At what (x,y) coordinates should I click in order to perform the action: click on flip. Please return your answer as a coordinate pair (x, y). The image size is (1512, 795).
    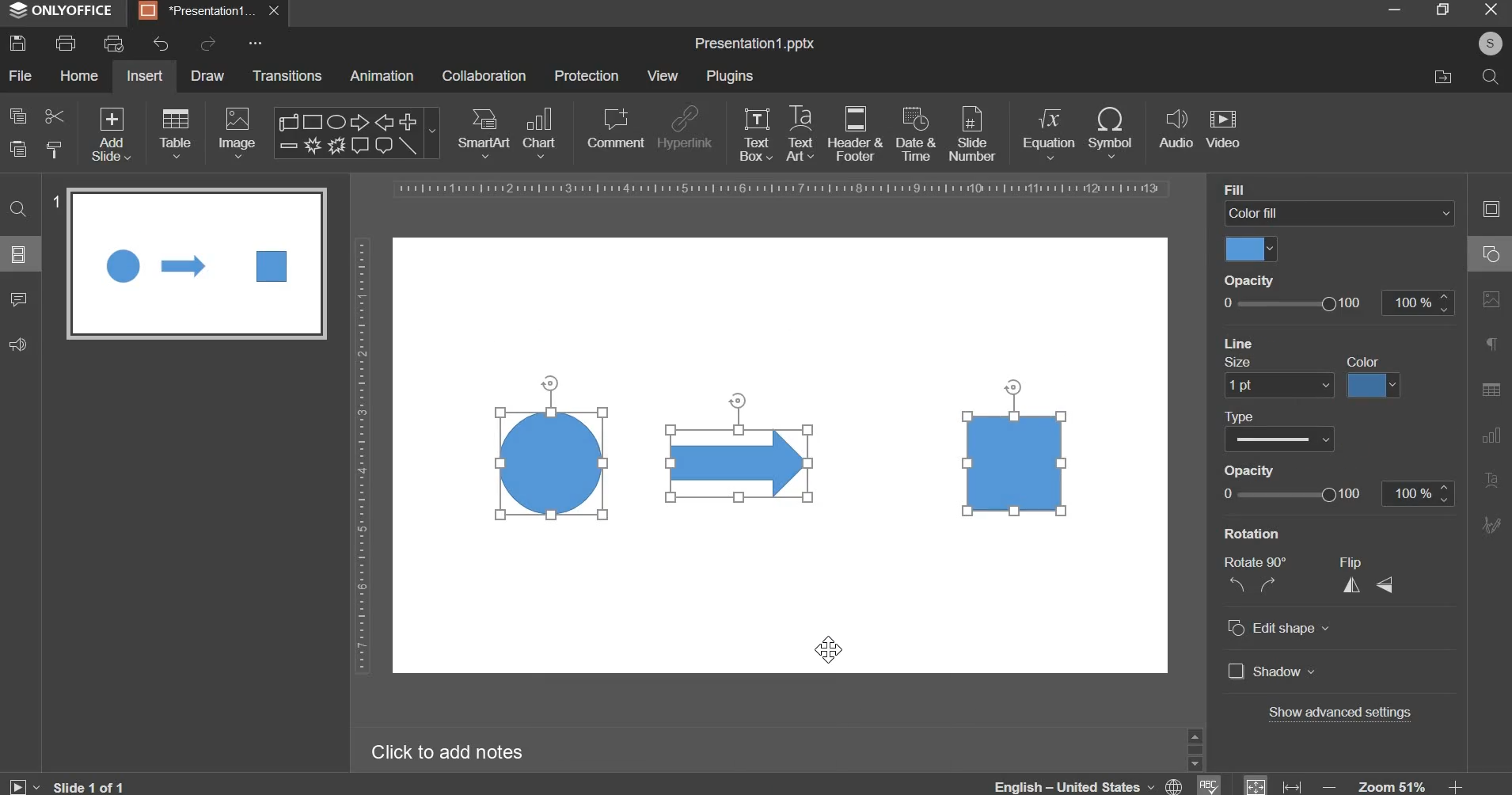
    Looking at the image, I should click on (1360, 561).